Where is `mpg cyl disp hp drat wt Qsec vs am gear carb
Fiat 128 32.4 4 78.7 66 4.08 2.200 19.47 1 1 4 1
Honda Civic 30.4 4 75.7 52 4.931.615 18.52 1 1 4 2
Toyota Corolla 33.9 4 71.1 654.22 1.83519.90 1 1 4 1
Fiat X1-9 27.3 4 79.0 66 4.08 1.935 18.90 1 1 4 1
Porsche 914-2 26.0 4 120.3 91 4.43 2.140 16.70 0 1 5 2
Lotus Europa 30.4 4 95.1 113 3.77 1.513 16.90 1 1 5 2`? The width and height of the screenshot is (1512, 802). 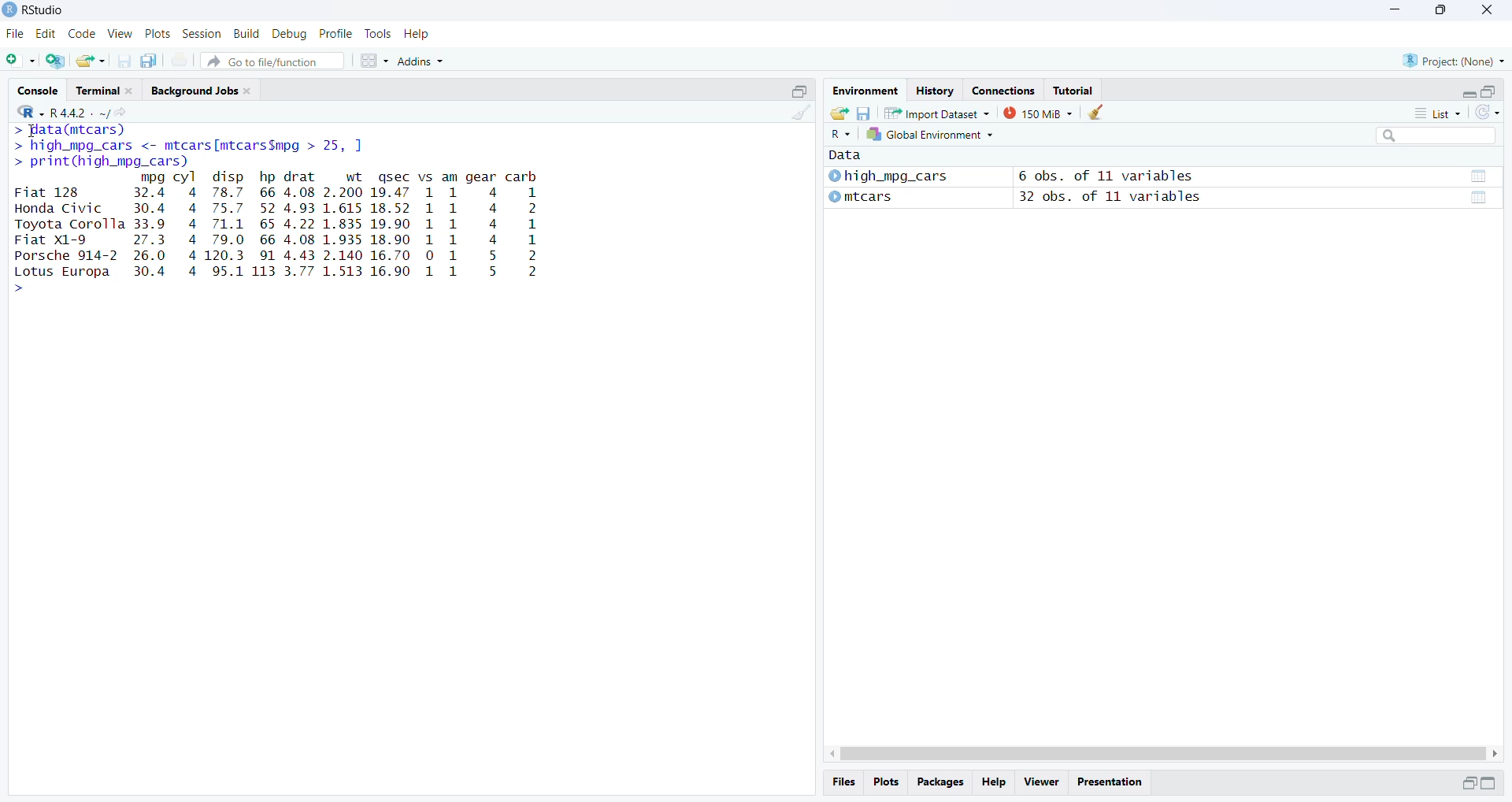 mpg cyl disp hp drat wt Qsec vs am gear carb
Fiat 128 32.4 4 78.7 66 4.08 2.200 19.47 1 1 4 1
Honda Civic 30.4 4 75.7 52 4.931.615 18.52 1 1 4 2
Toyota Corolla 33.9 4 71.1 654.22 1.83519.90 1 1 4 1
Fiat X1-9 27.3 4 79.0 66 4.08 1.935 18.90 1 1 4 1
Porsche 914-2 26.0 4 120.3 91 4.43 2.140 16.70 0 1 5 2
Lotus Europa 30.4 4 95.1 113 3.77 1.513 16.90 1 1 5 2 is located at coordinates (281, 233).